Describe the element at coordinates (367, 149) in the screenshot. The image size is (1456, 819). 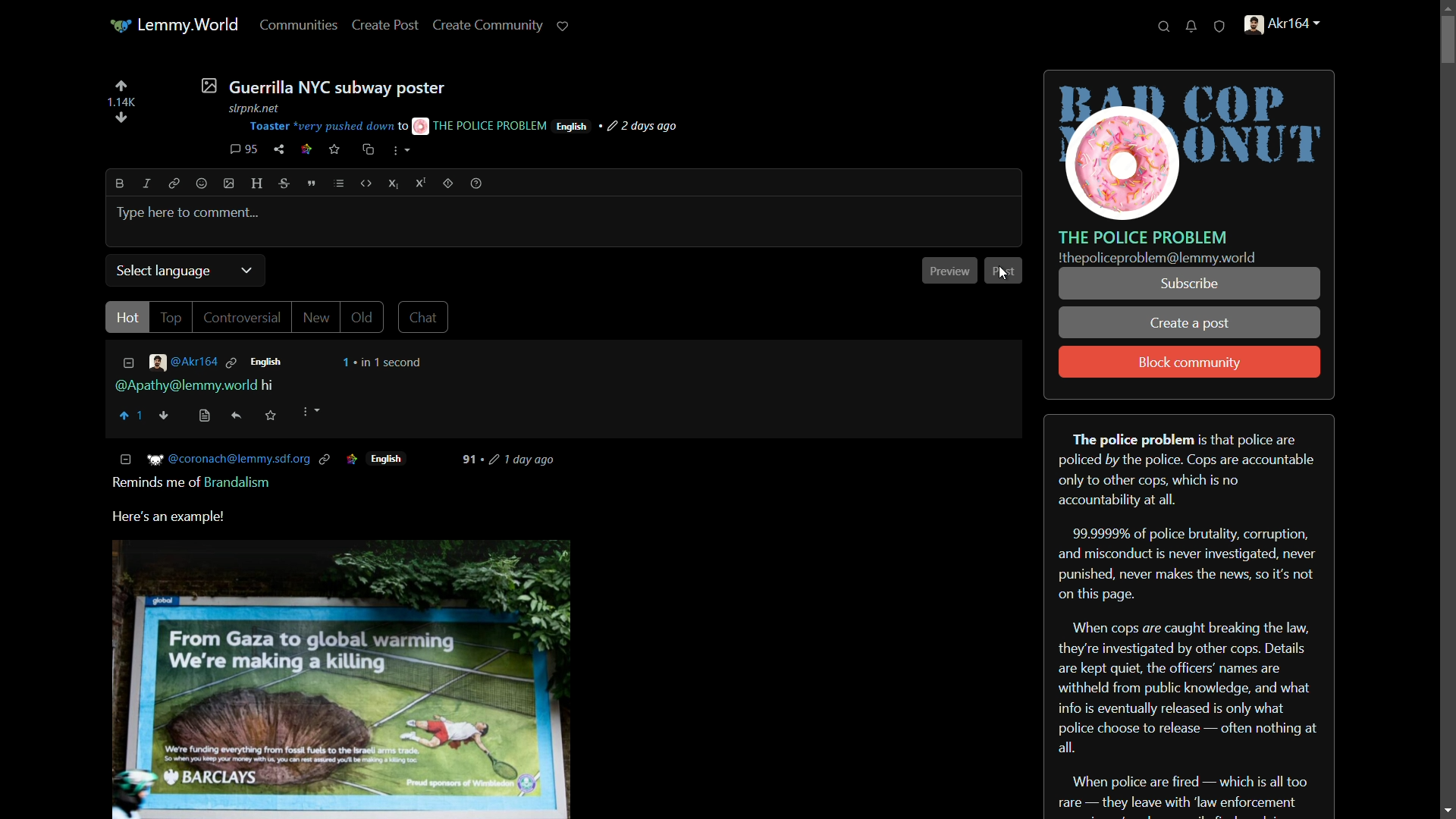
I see `cross-post` at that location.